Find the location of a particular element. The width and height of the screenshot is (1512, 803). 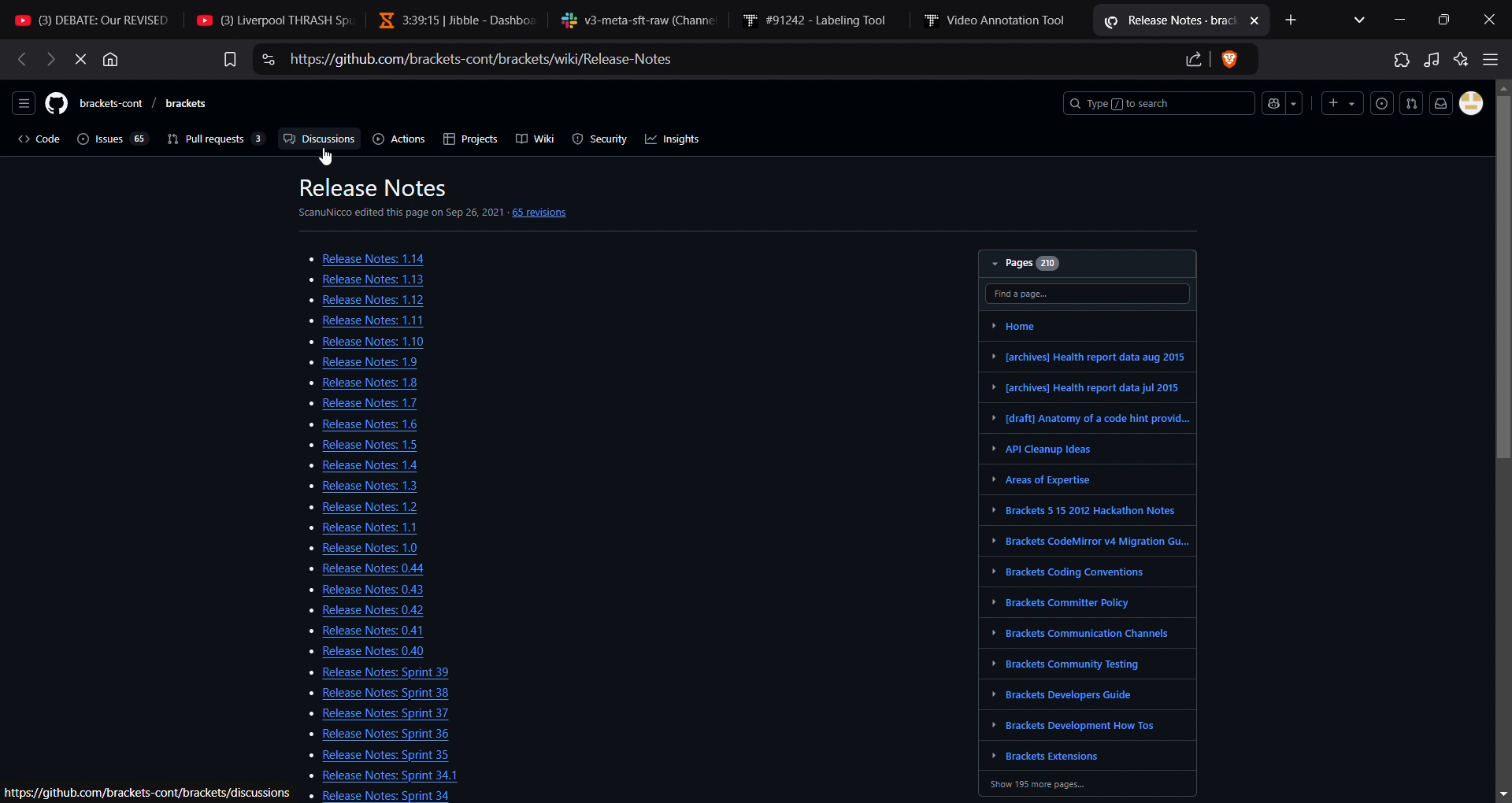

options is located at coordinates (23, 102).